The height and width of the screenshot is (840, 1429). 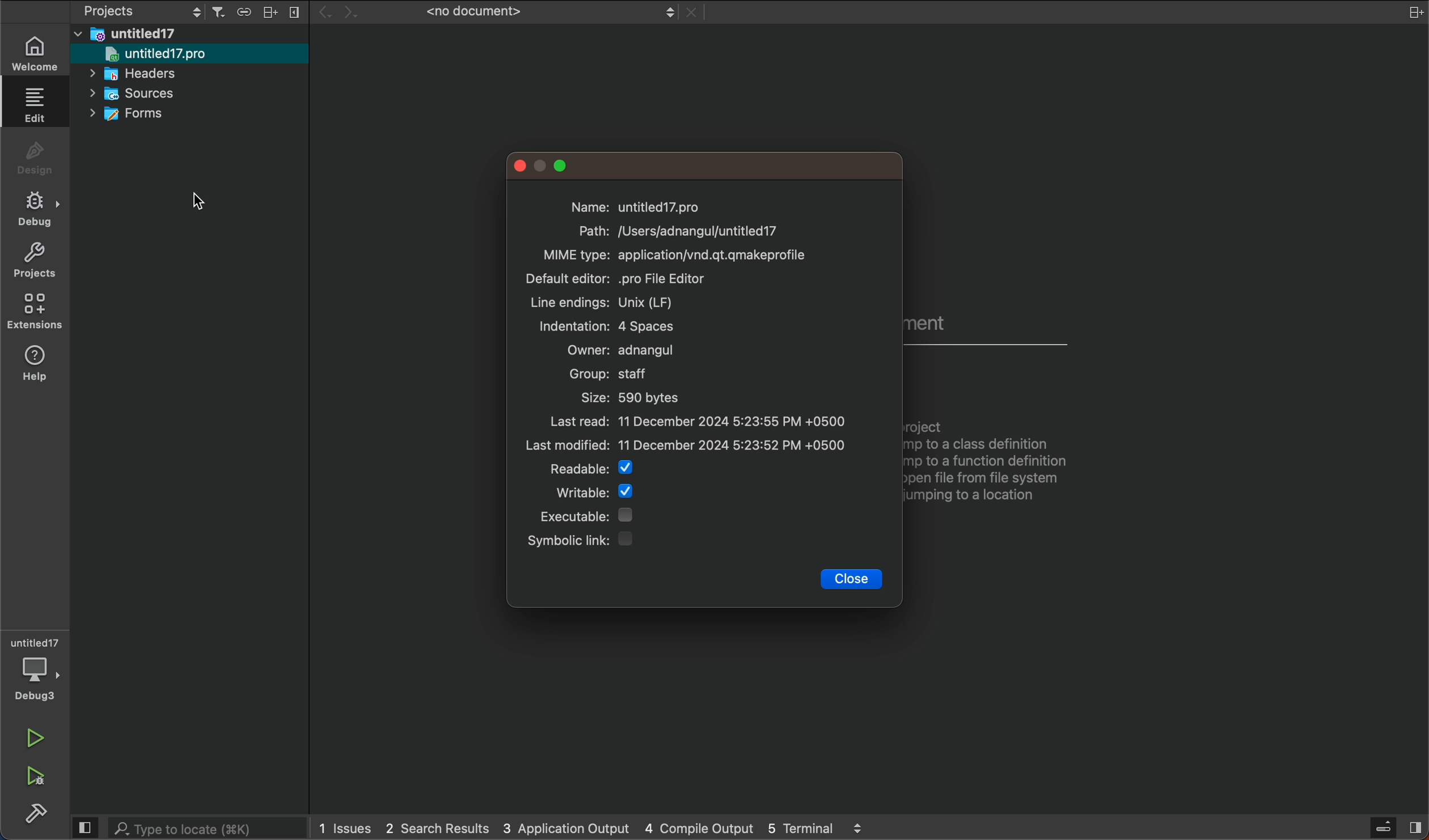 I want to click on search, so click(x=188, y=829).